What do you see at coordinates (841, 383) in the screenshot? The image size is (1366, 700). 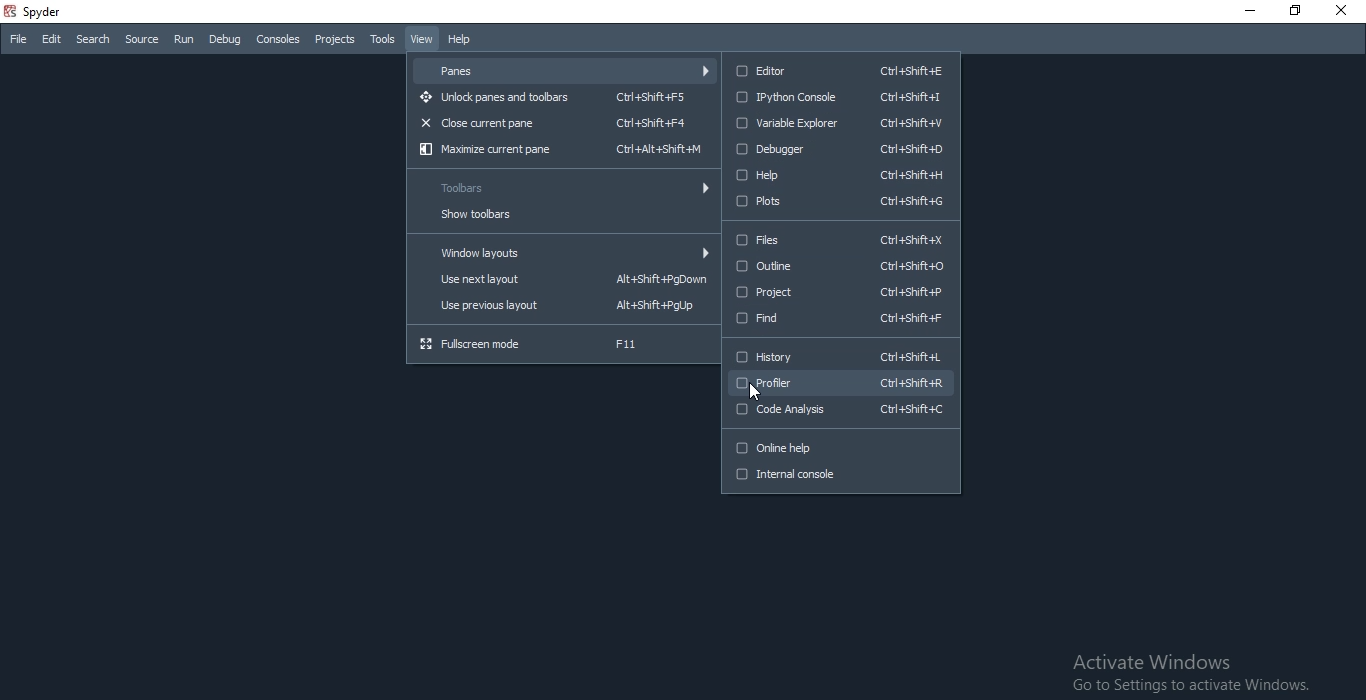 I see `profiler` at bounding box center [841, 383].